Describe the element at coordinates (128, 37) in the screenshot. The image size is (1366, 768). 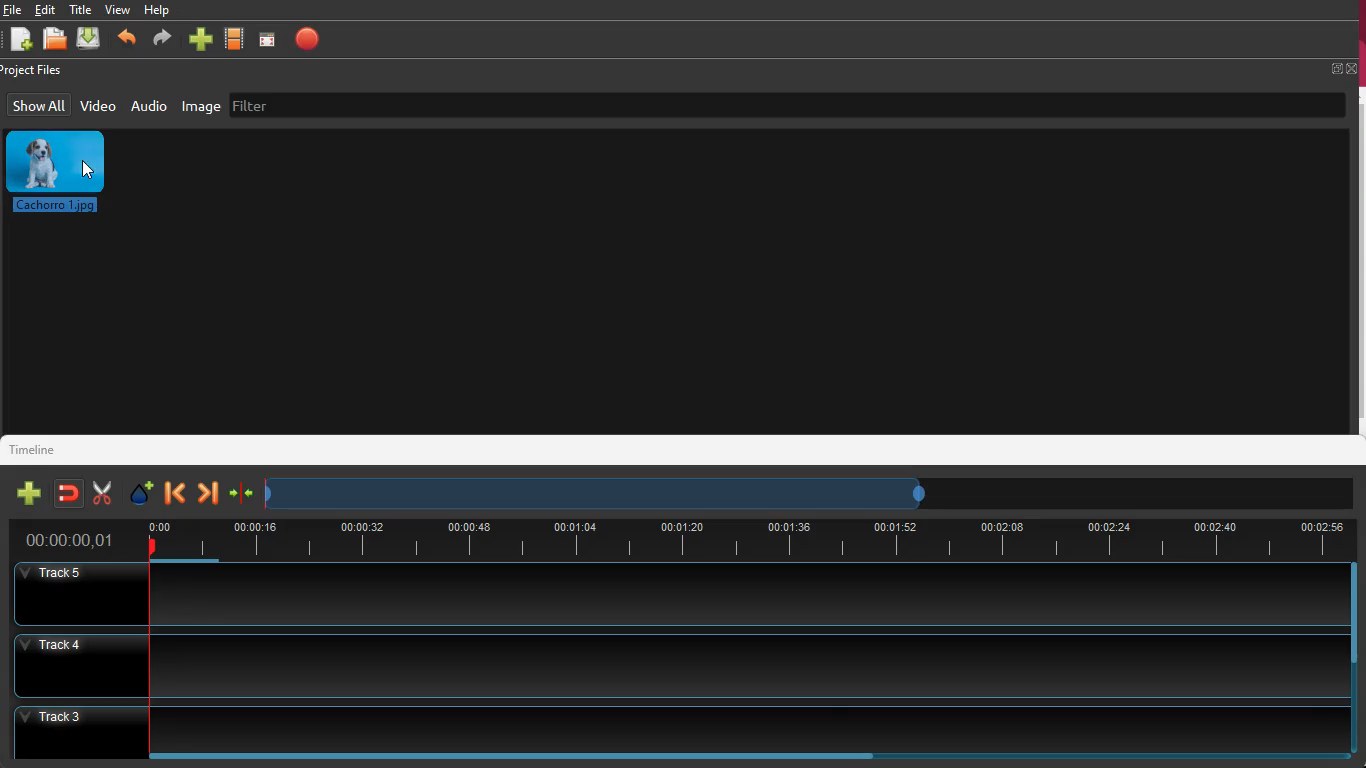
I see `backward` at that location.